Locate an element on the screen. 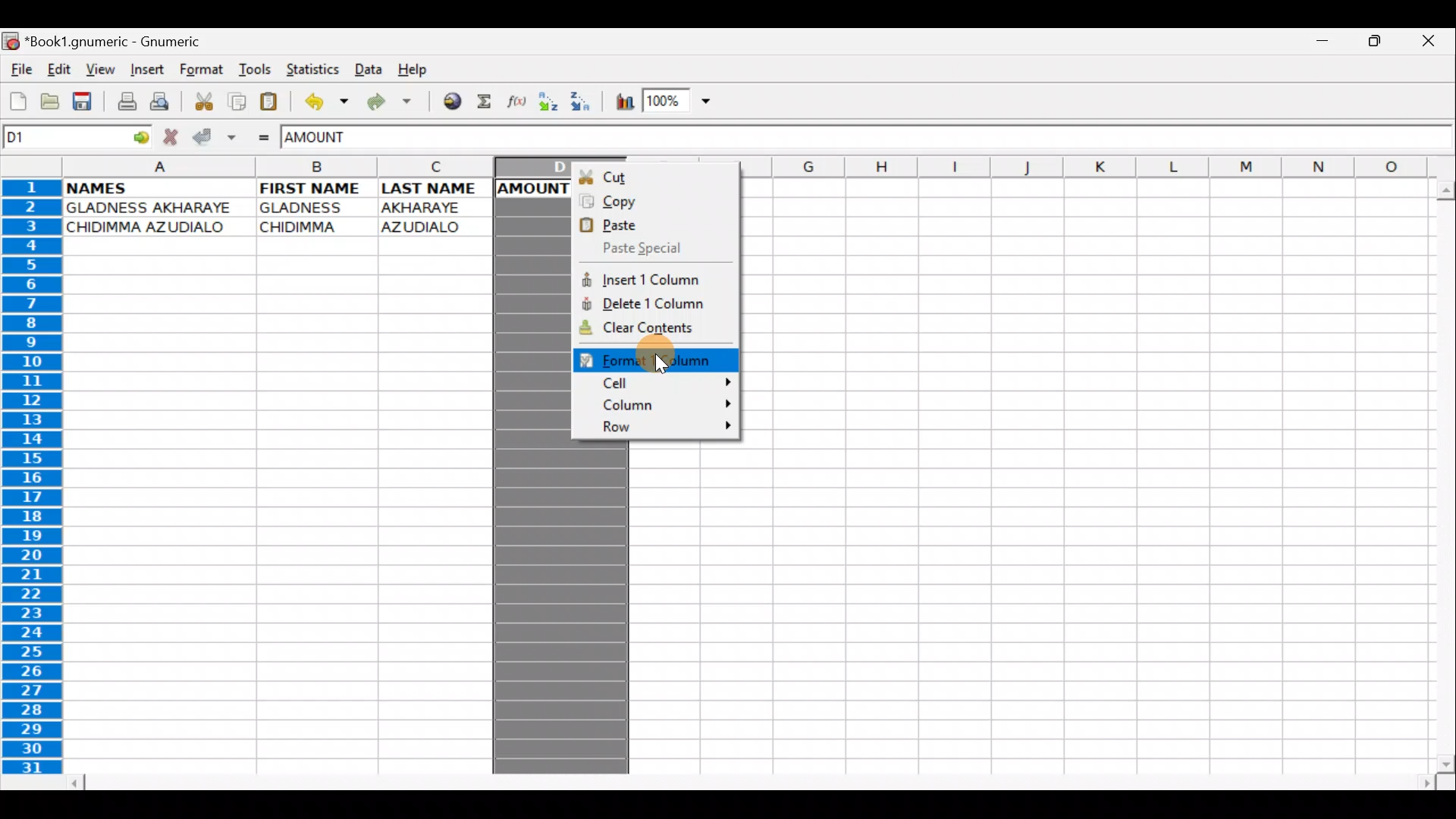 The height and width of the screenshot is (819, 1456). Cells is located at coordinates (1079, 471).